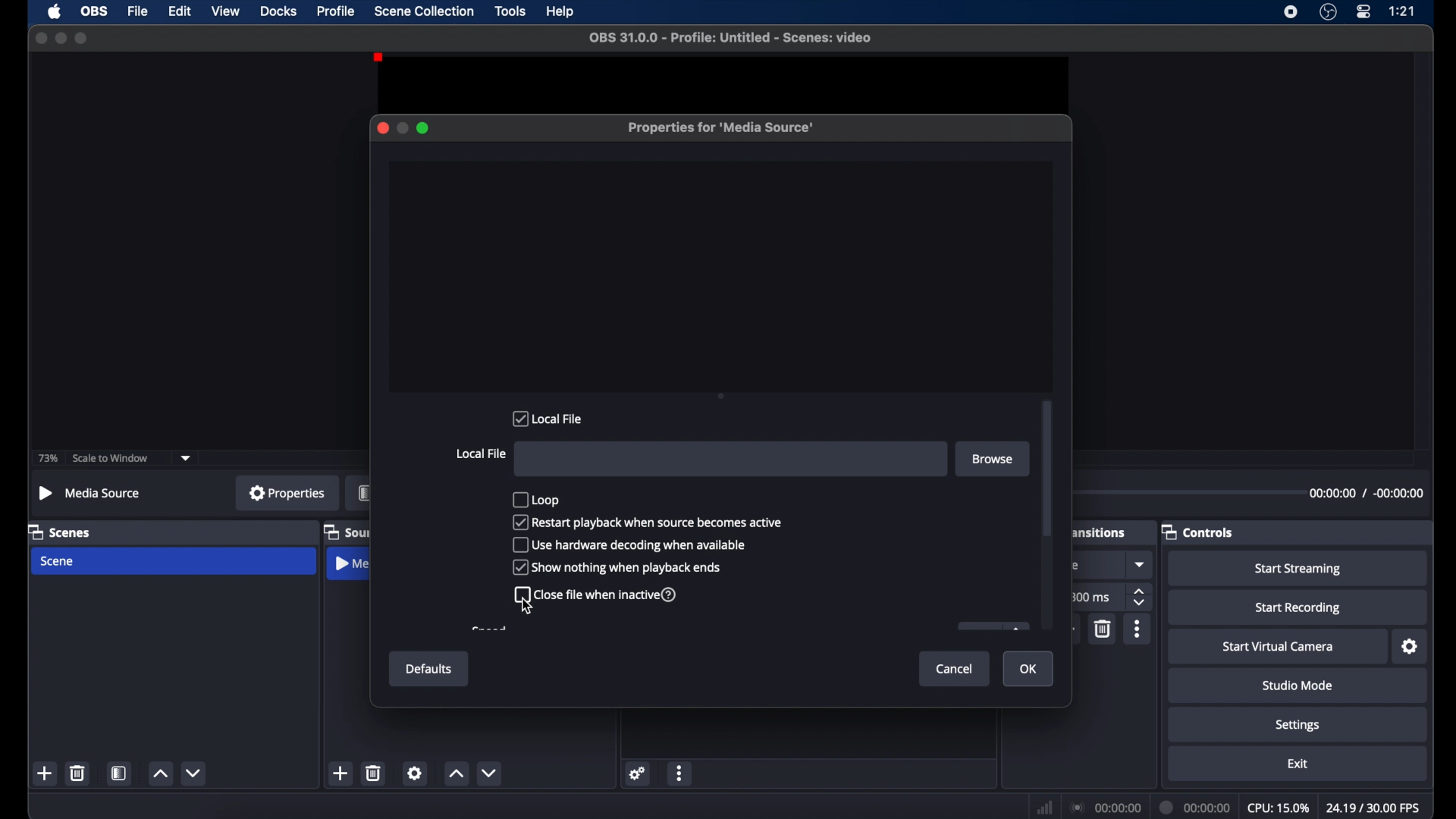  I want to click on cpu, so click(1278, 807).